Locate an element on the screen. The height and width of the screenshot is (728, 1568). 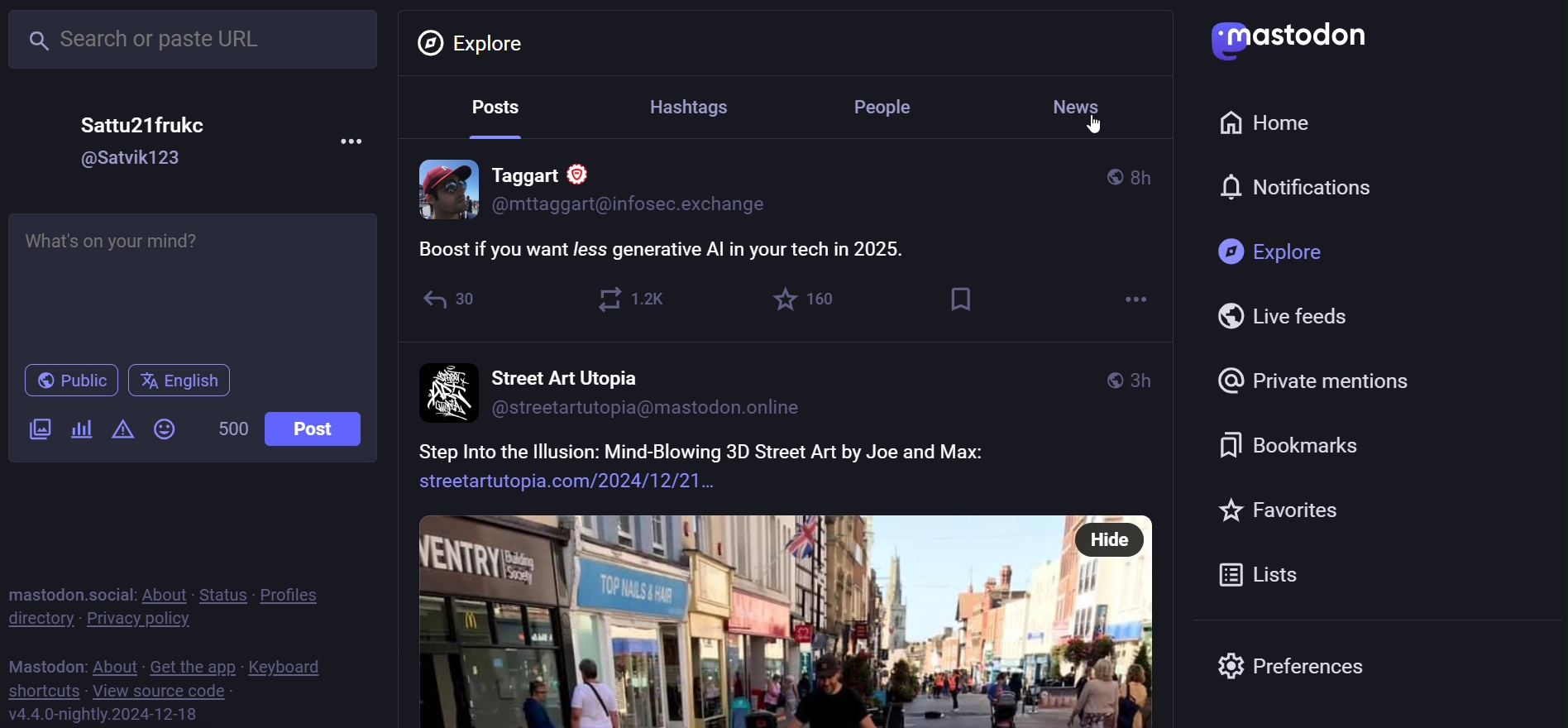
Step Into the Illusion: Mind-Blowing 3D Street Art by Joe and Max:
streetartutopia.com/2024/12/21... is located at coordinates (710, 467).